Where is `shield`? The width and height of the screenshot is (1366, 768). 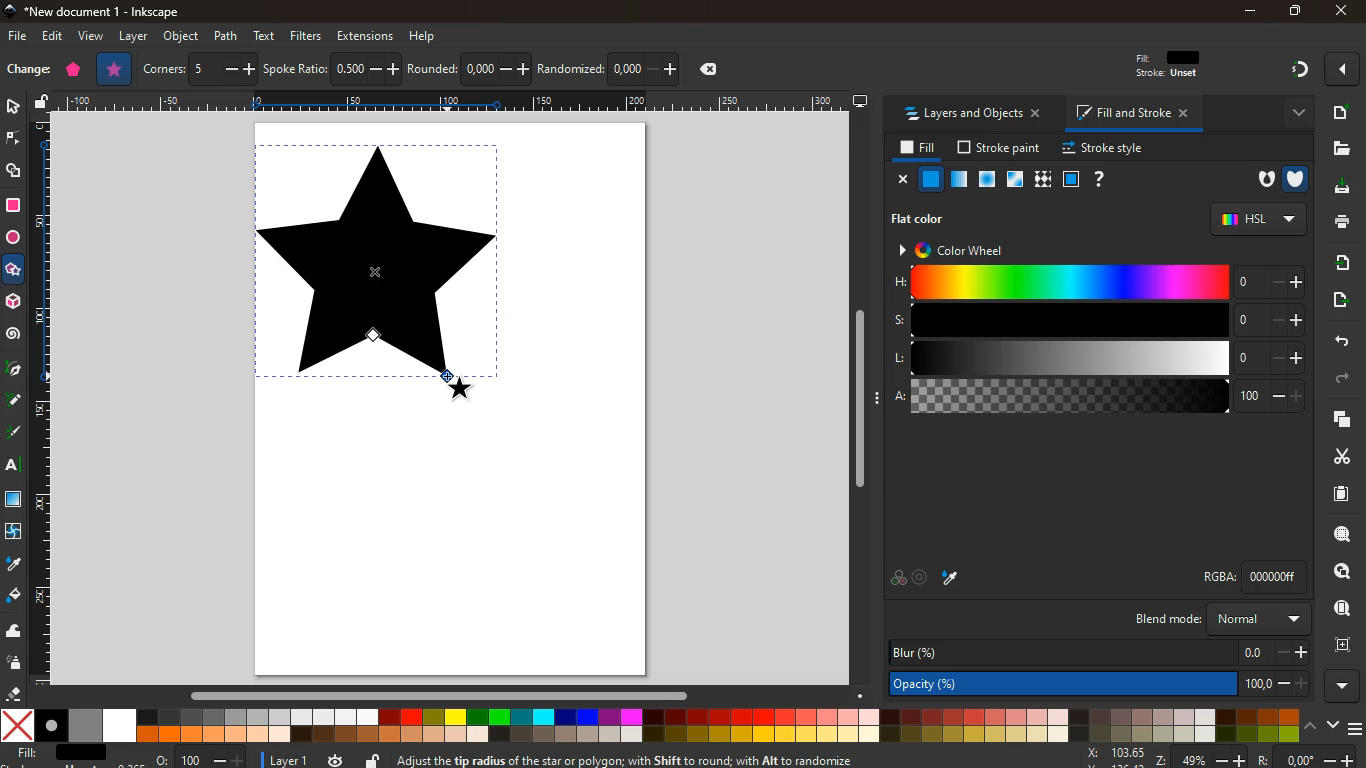
shield is located at coordinates (1297, 179).